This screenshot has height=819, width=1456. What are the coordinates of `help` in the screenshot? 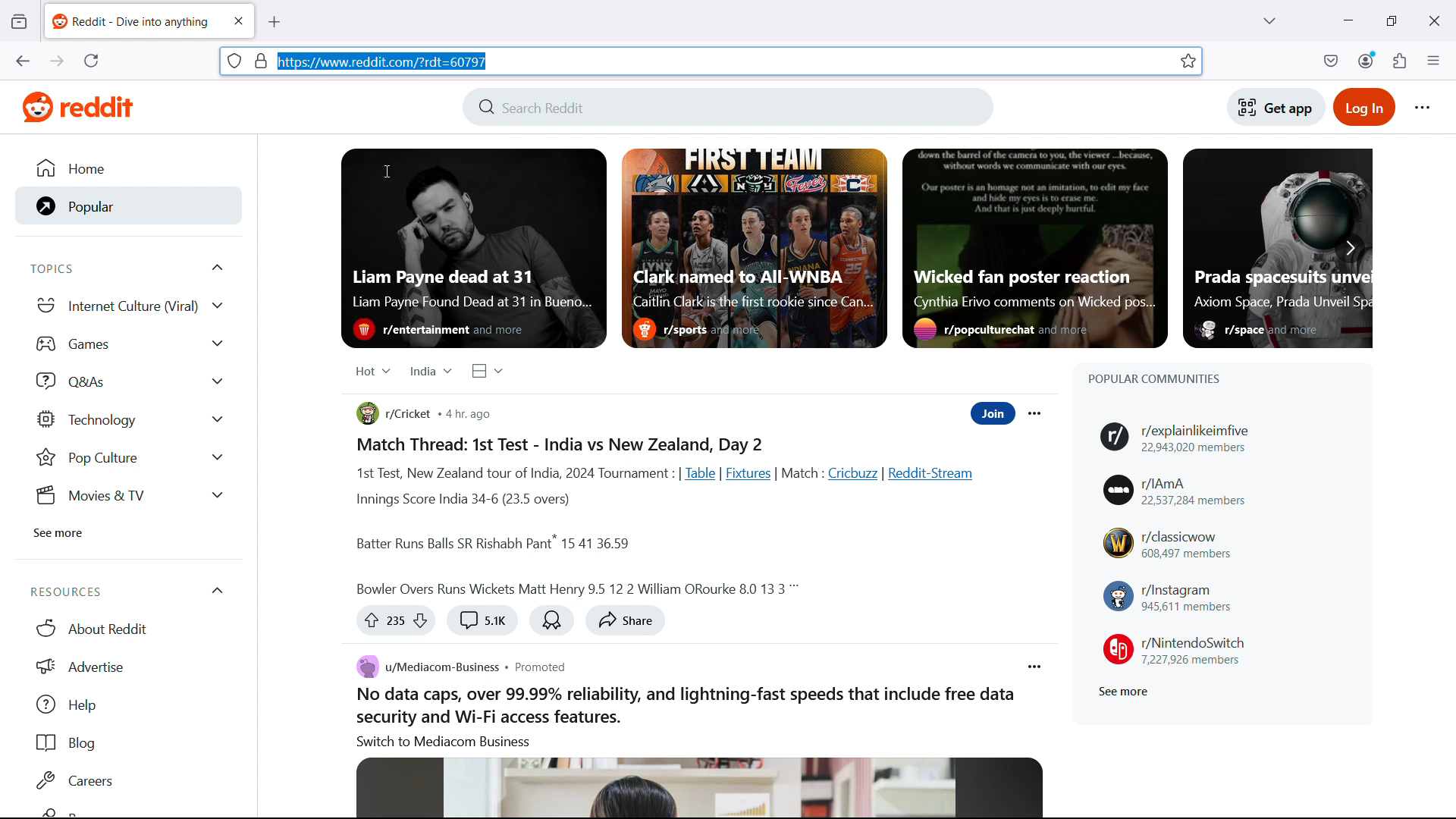 It's located at (127, 705).